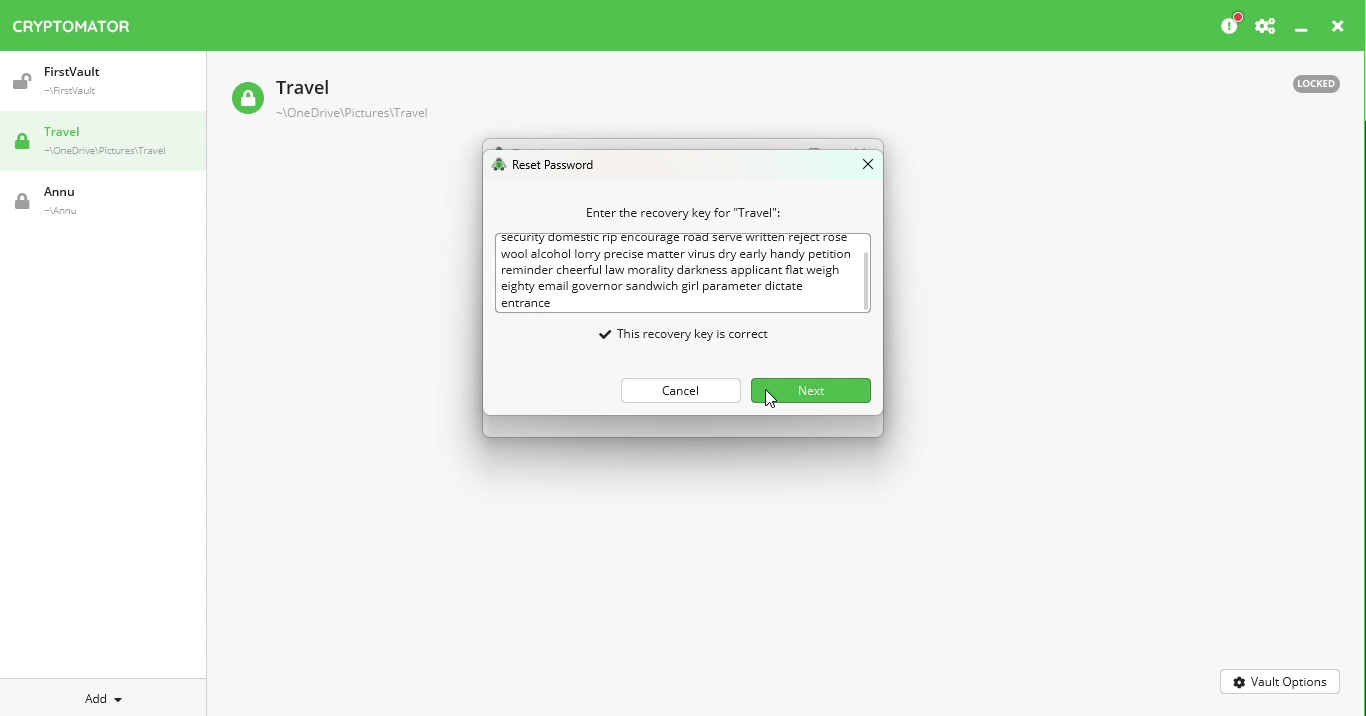  I want to click on Cursor, so click(769, 401).